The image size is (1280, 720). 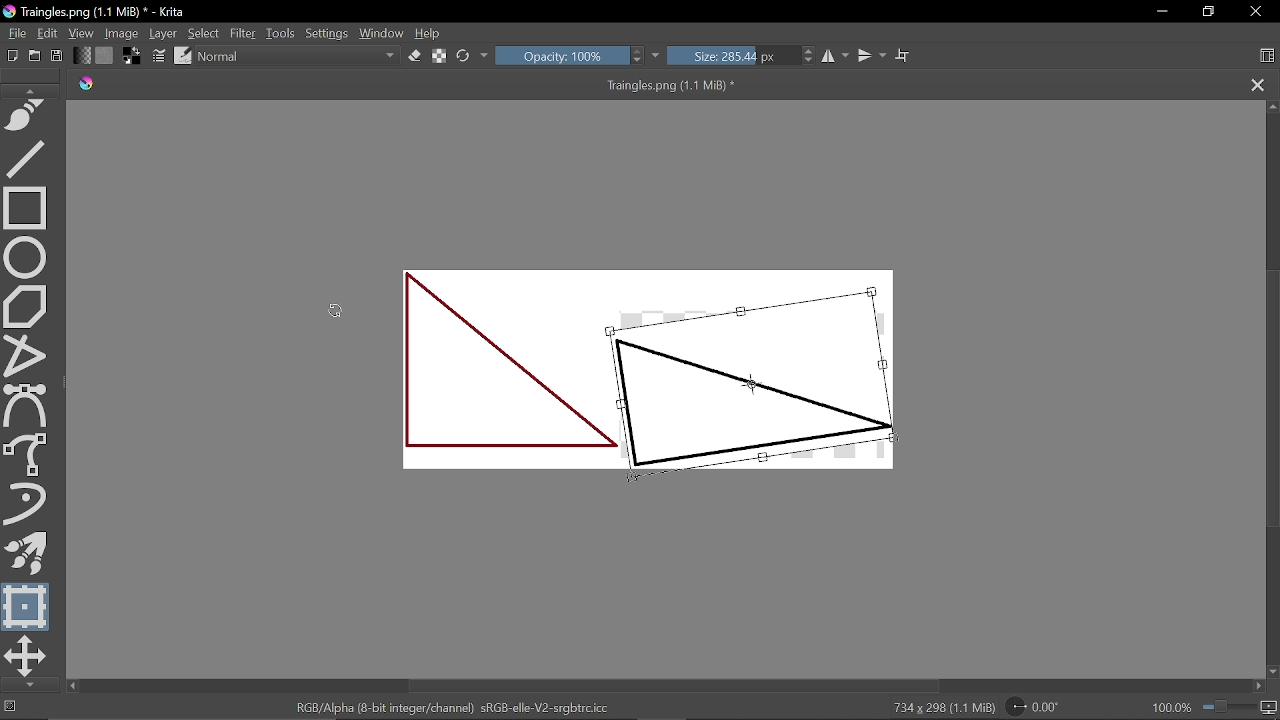 What do you see at coordinates (134, 55) in the screenshot?
I see `Foreground color` at bounding box center [134, 55].